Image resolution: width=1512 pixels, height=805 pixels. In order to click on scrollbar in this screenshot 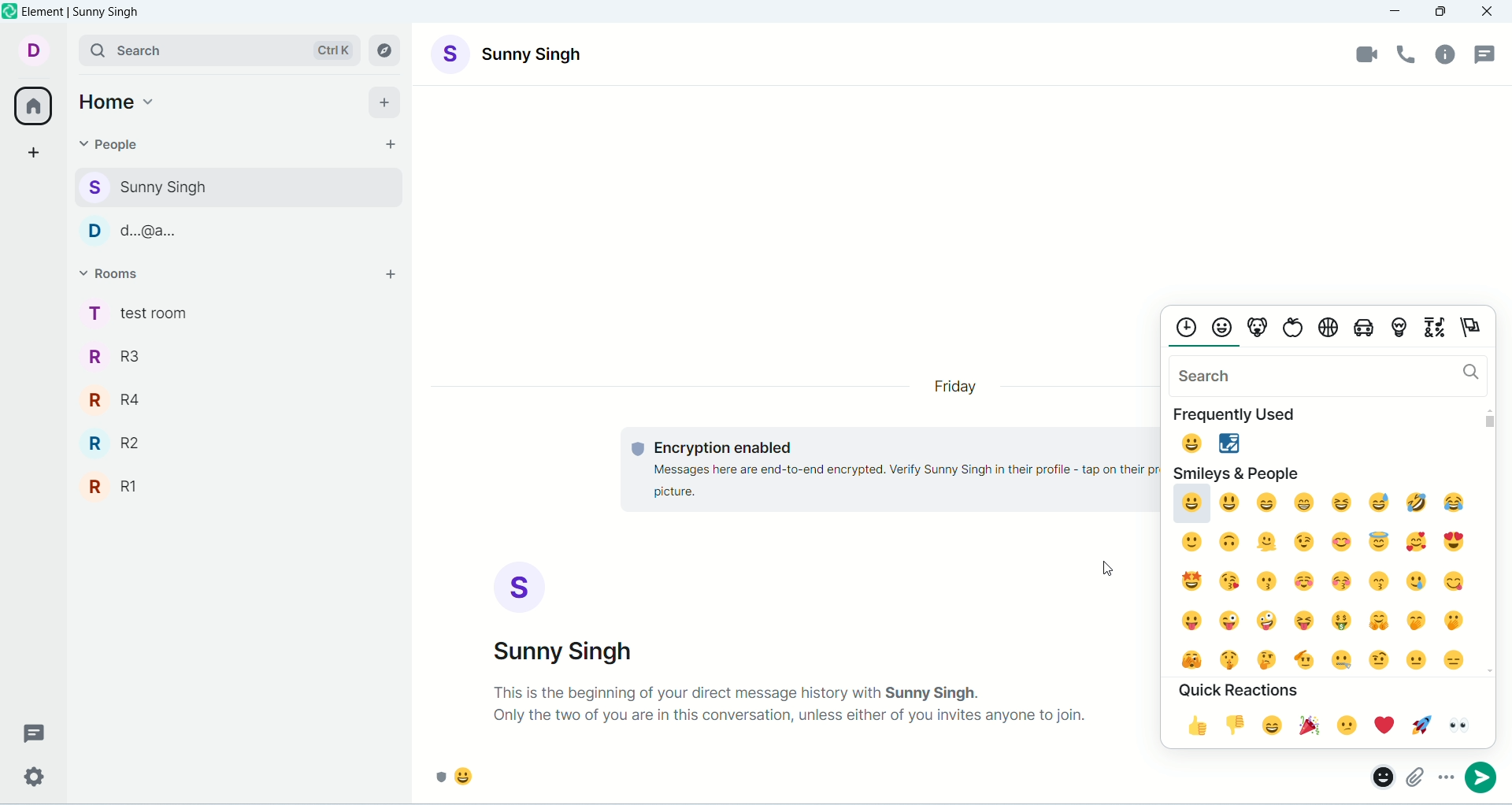, I will do `click(1492, 422)`.